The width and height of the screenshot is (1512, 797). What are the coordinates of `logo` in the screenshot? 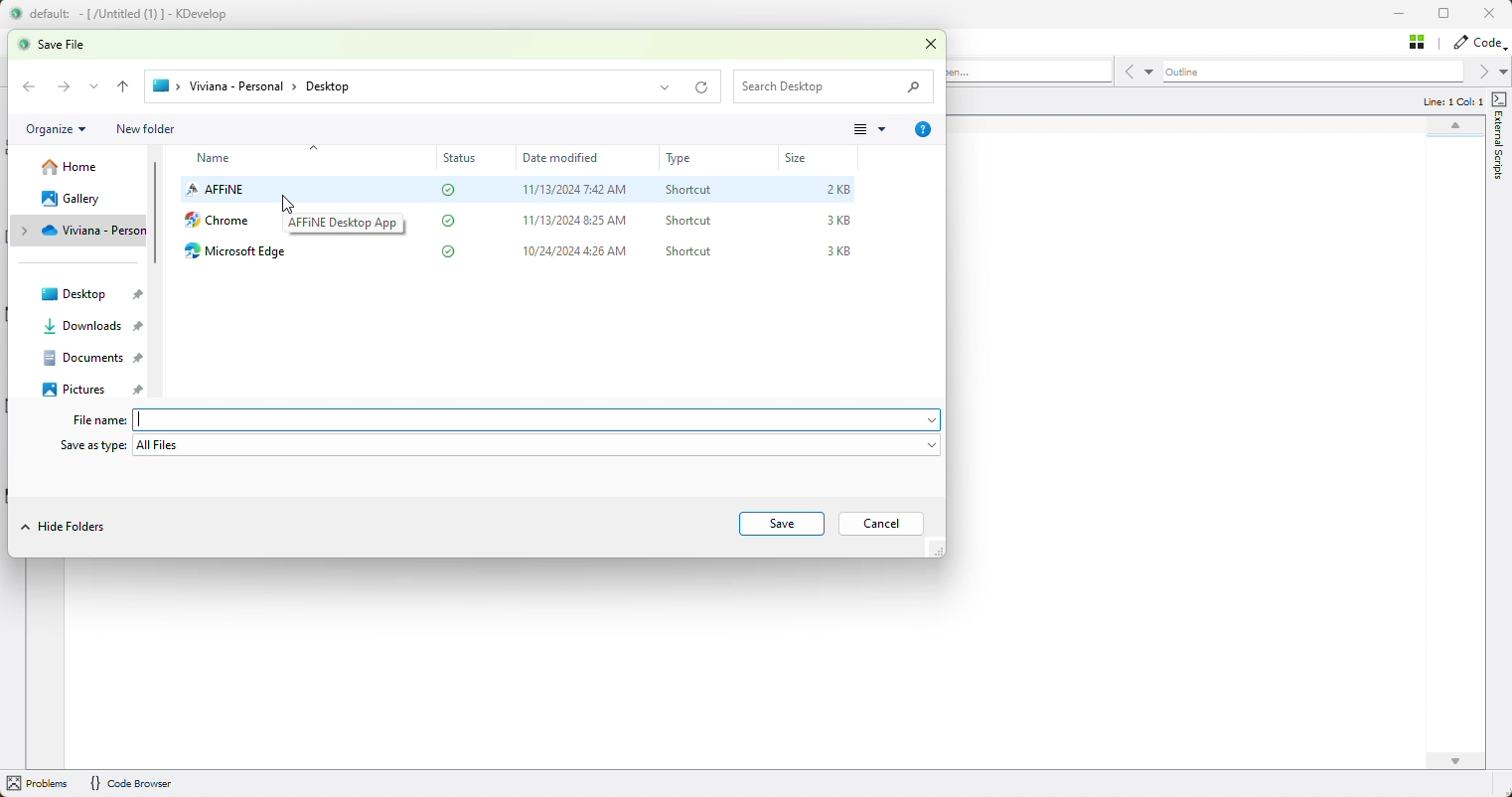 It's located at (24, 45).